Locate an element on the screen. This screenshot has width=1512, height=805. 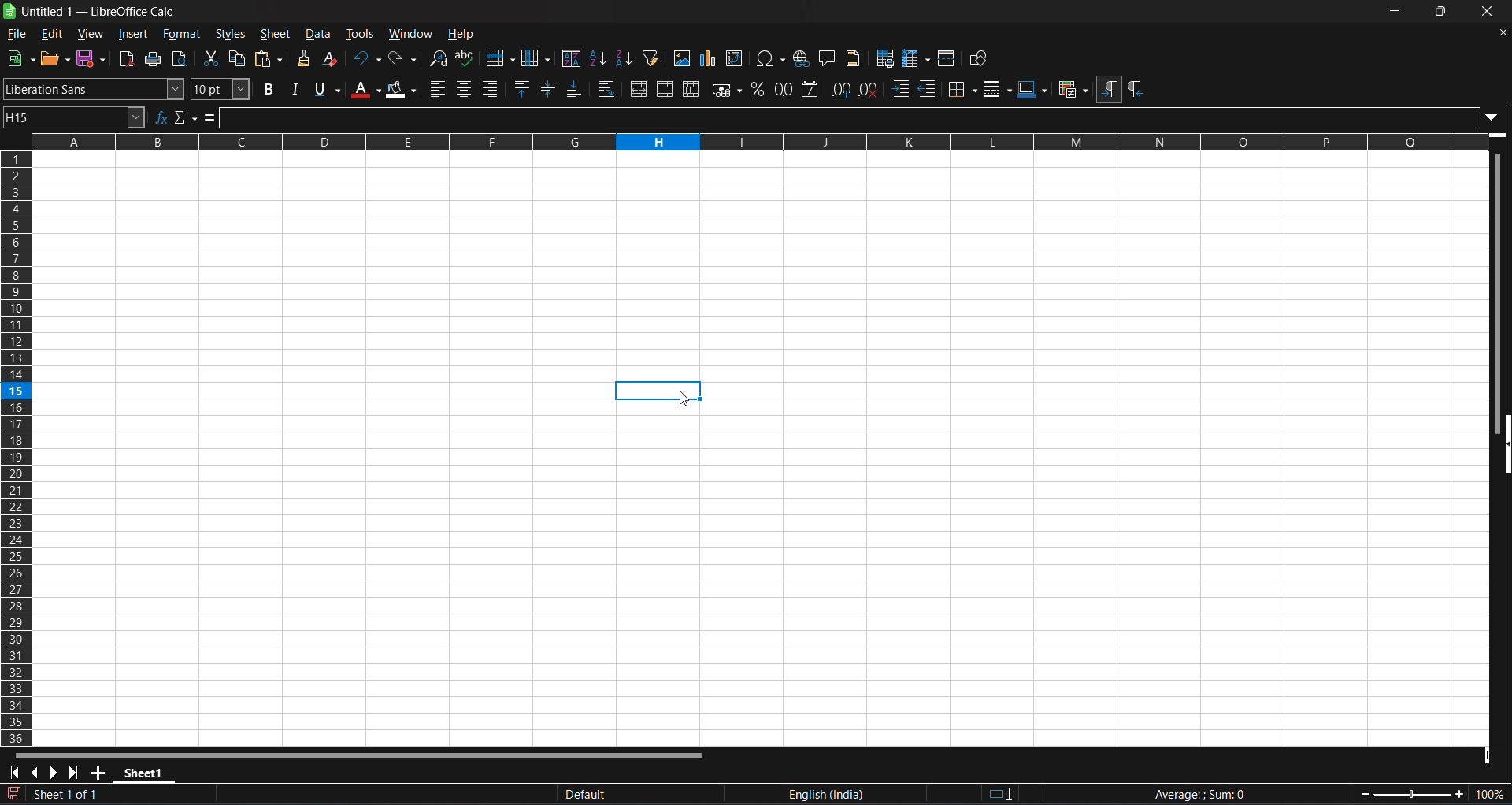
insert comment is located at coordinates (829, 58).